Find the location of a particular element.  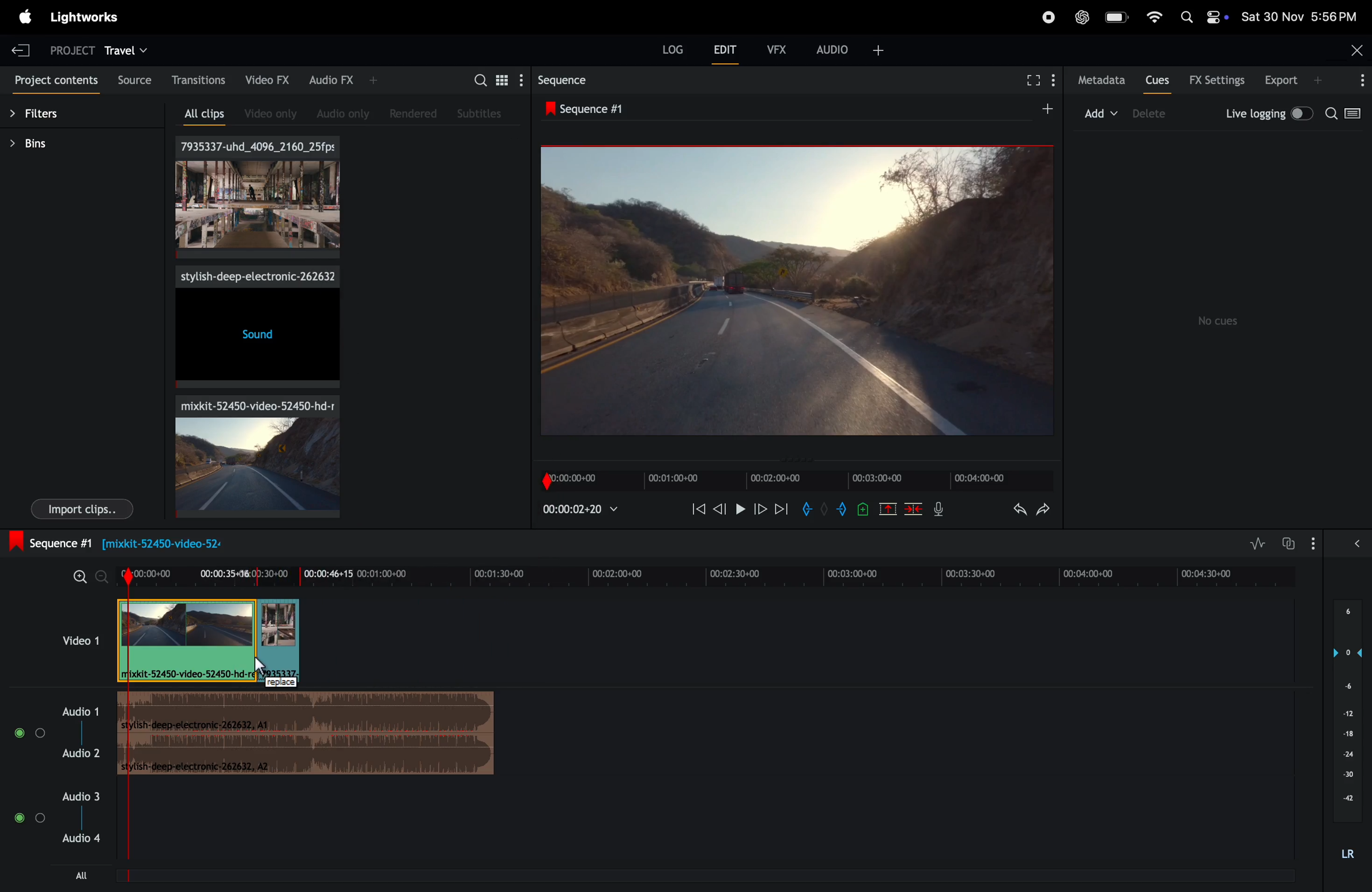

edit is located at coordinates (721, 50).